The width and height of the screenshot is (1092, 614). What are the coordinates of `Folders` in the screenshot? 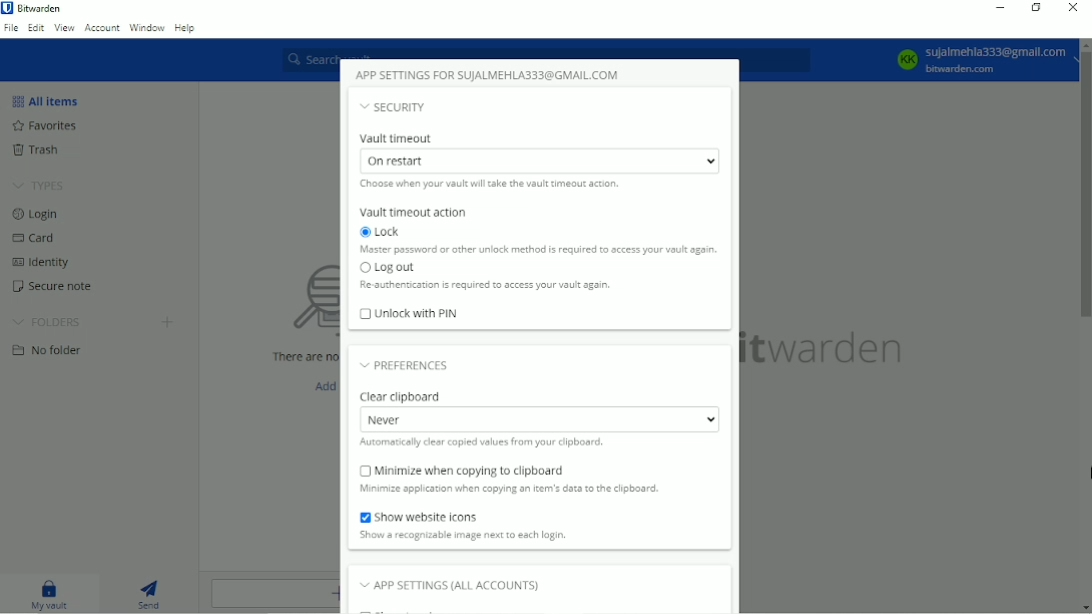 It's located at (49, 323).